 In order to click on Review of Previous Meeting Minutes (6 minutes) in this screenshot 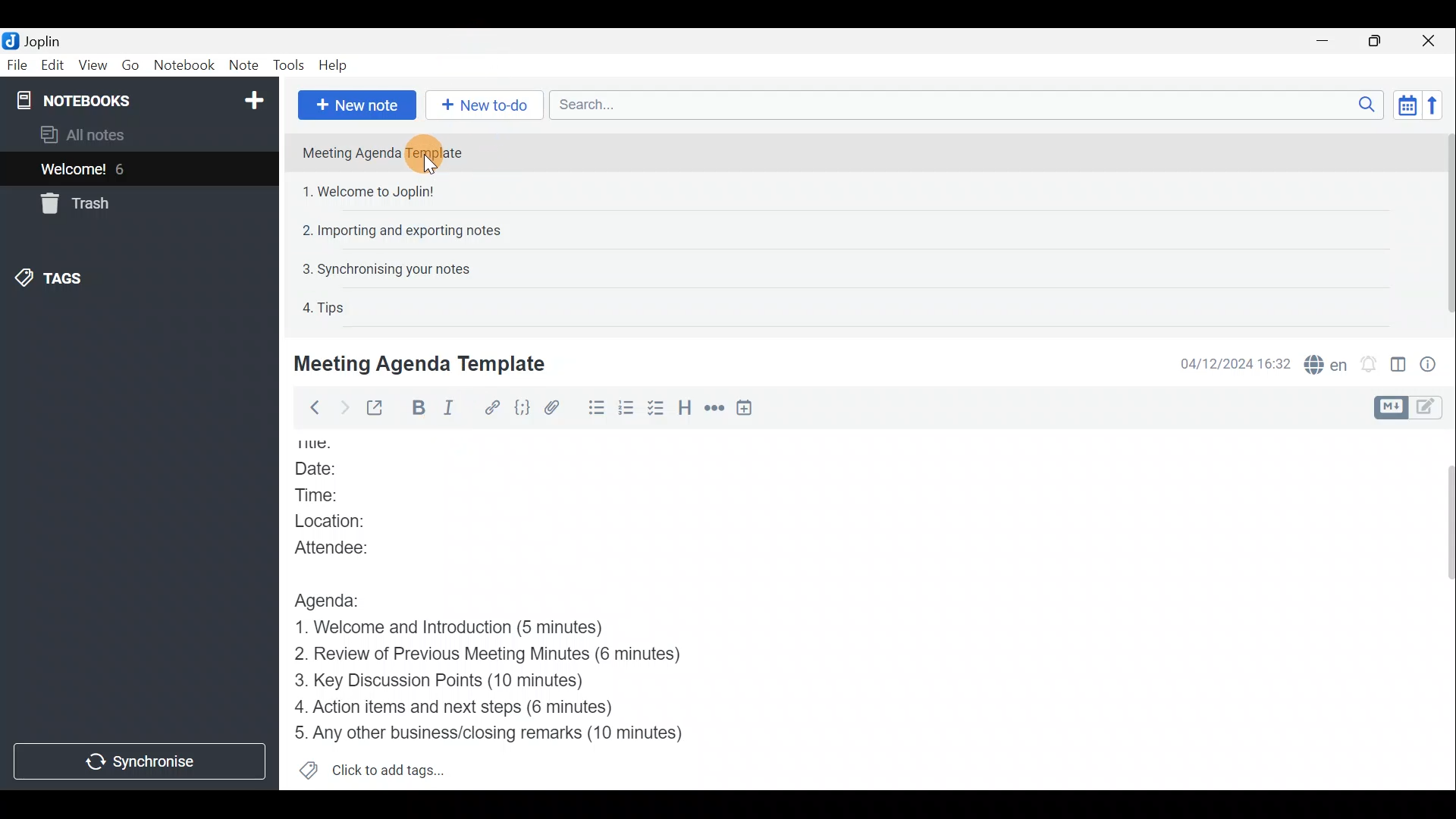, I will do `click(512, 657)`.